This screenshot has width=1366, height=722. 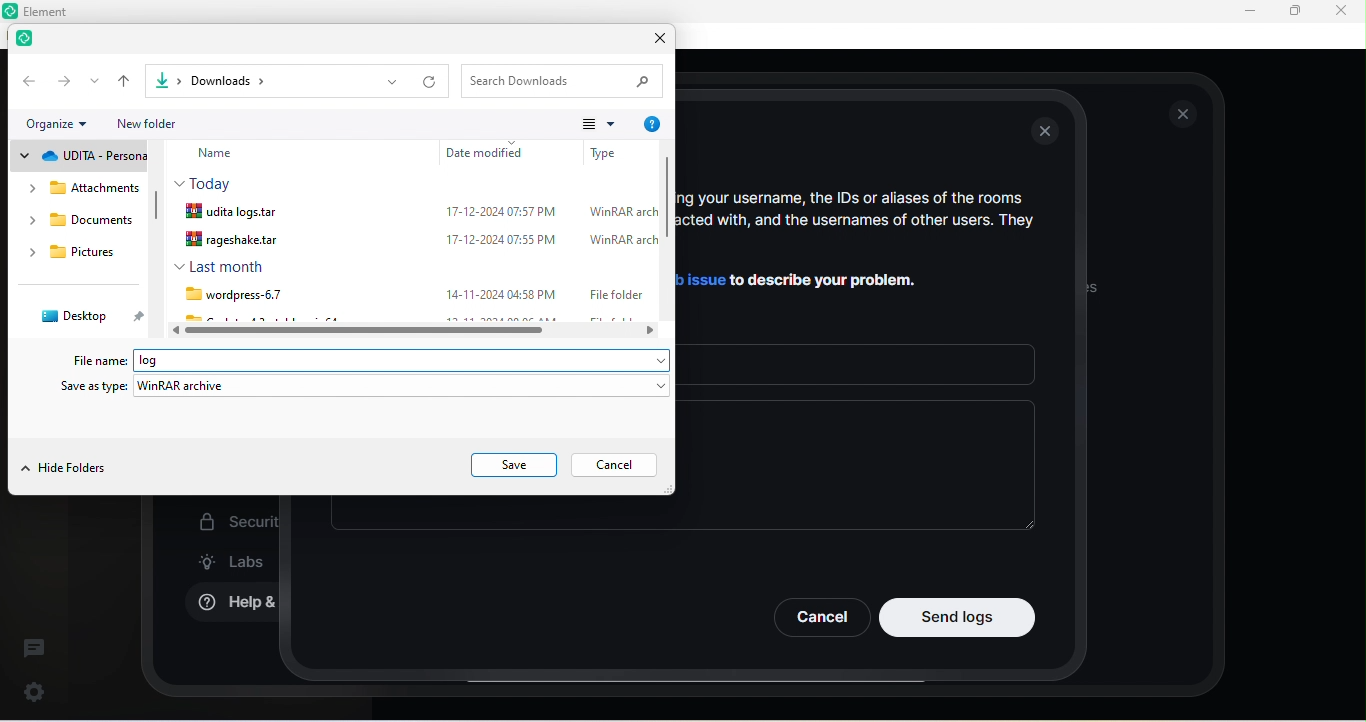 What do you see at coordinates (73, 188) in the screenshot?
I see `attachments` at bounding box center [73, 188].